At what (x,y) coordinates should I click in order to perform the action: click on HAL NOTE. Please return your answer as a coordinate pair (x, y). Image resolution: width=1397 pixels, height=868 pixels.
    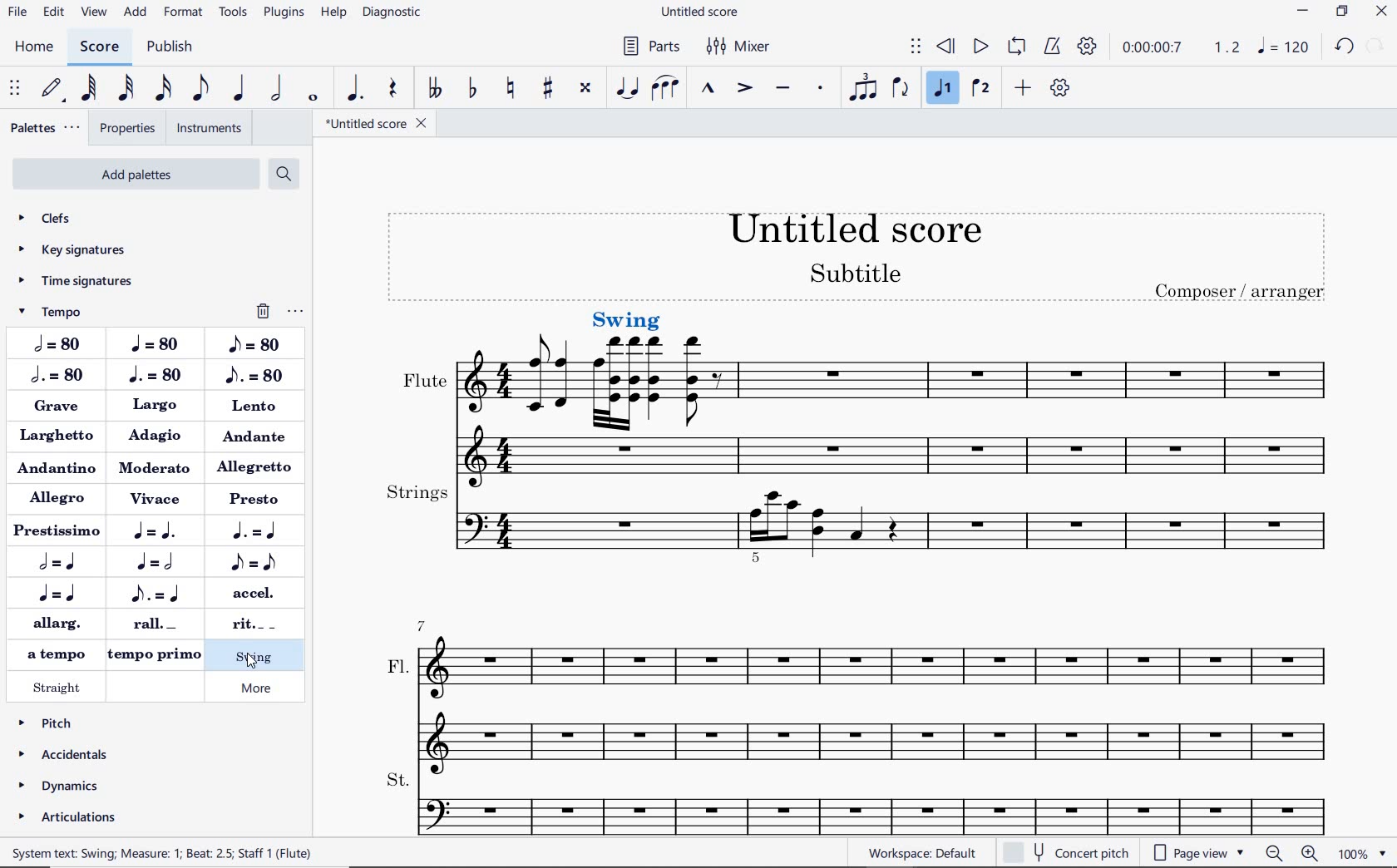
    Looking at the image, I should click on (55, 346).